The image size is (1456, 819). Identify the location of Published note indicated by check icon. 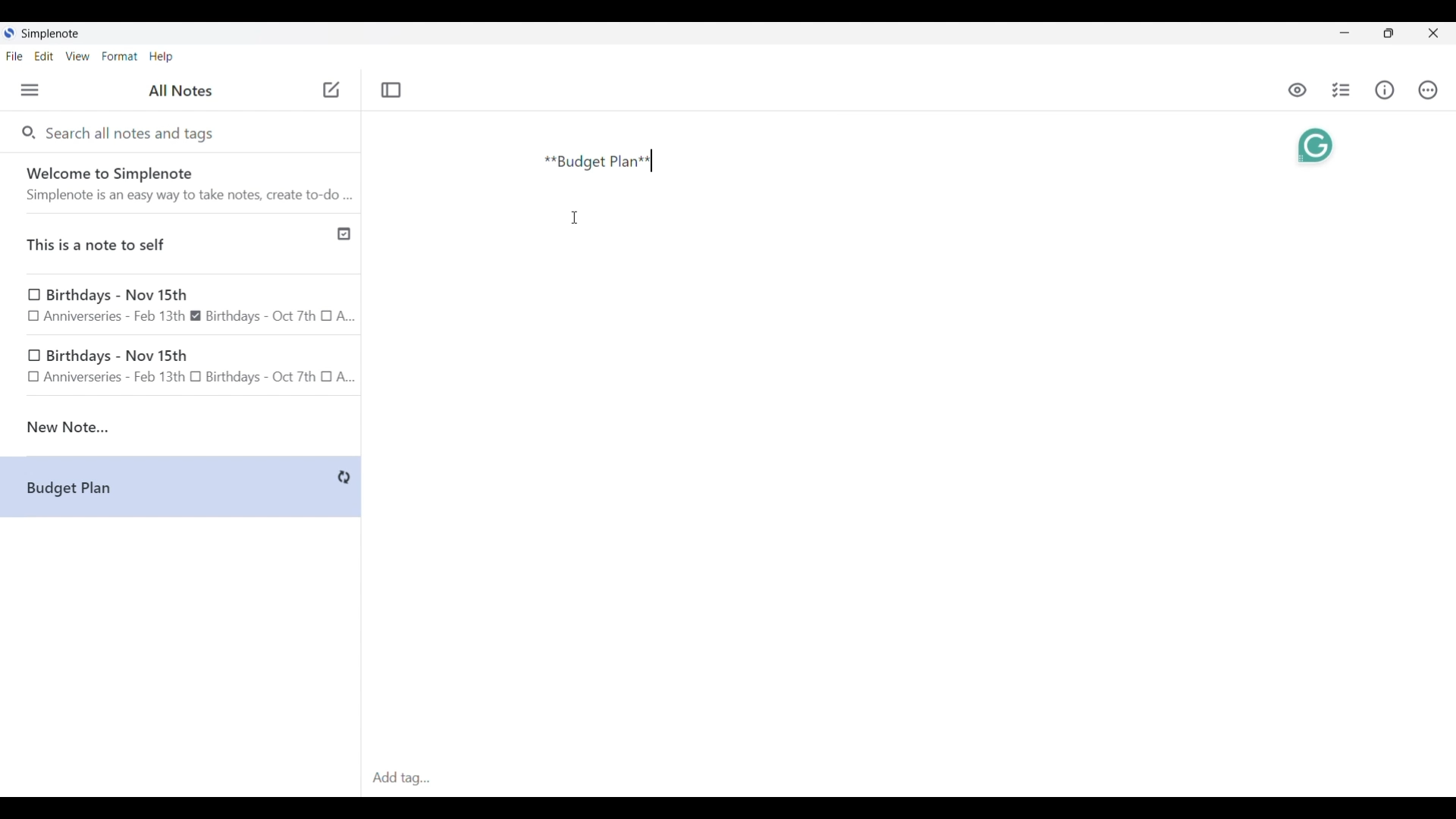
(182, 244).